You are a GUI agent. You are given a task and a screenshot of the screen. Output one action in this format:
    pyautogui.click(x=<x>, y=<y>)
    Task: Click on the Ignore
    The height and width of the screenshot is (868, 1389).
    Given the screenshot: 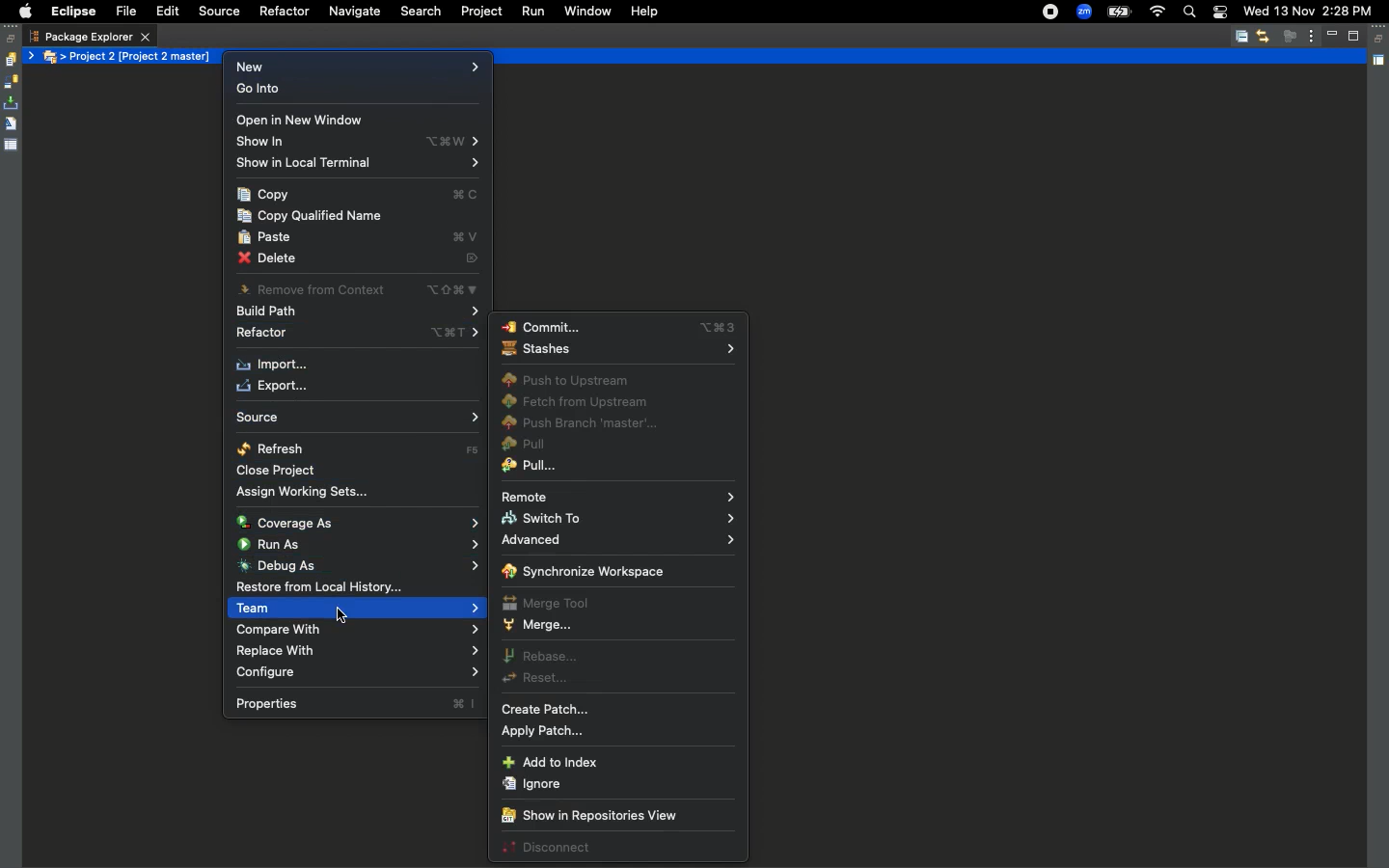 What is the action you would take?
    pyautogui.click(x=531, y=784)
    